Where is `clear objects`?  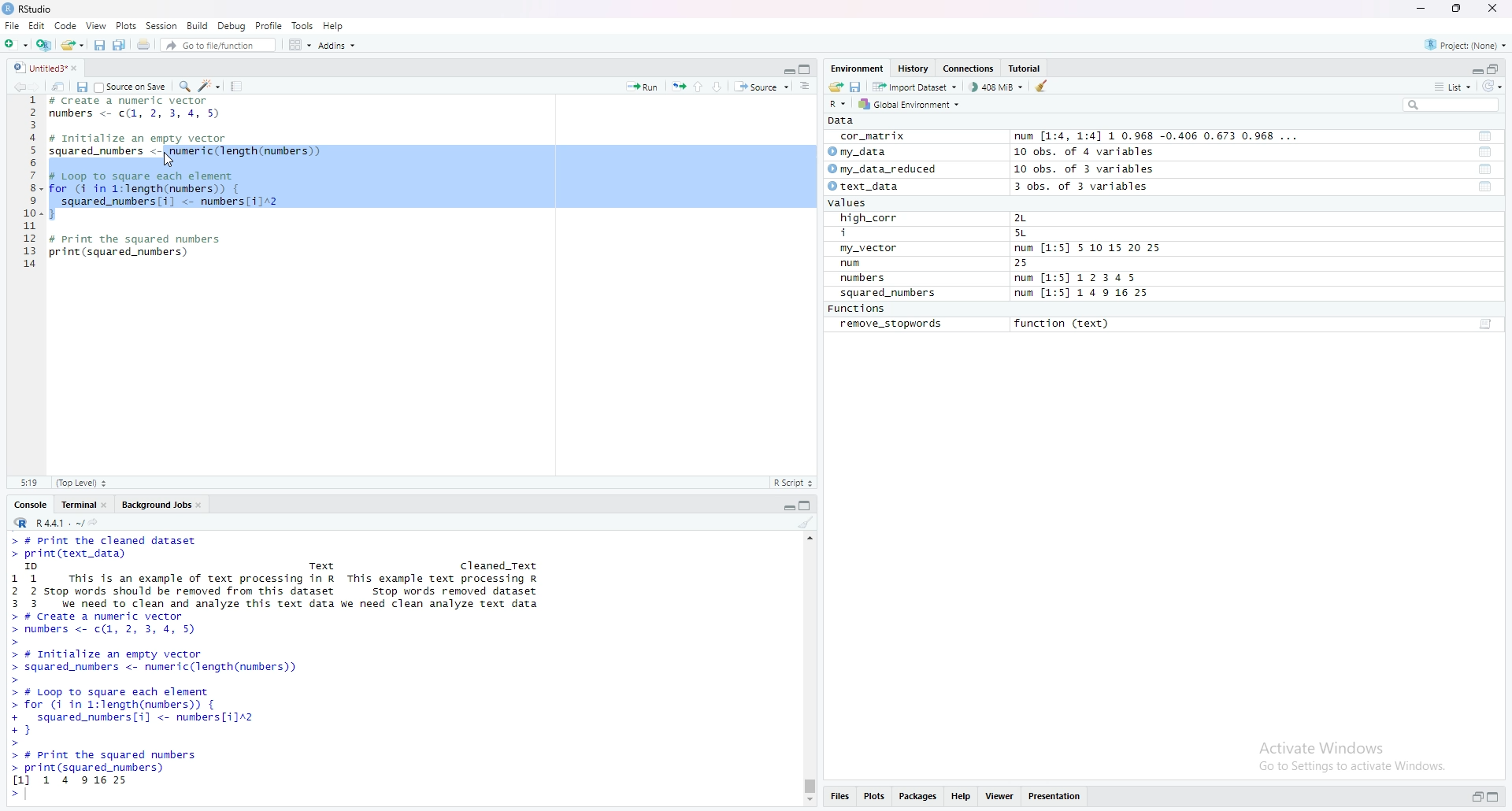
clear objects is located at coordinates (1043, 86).